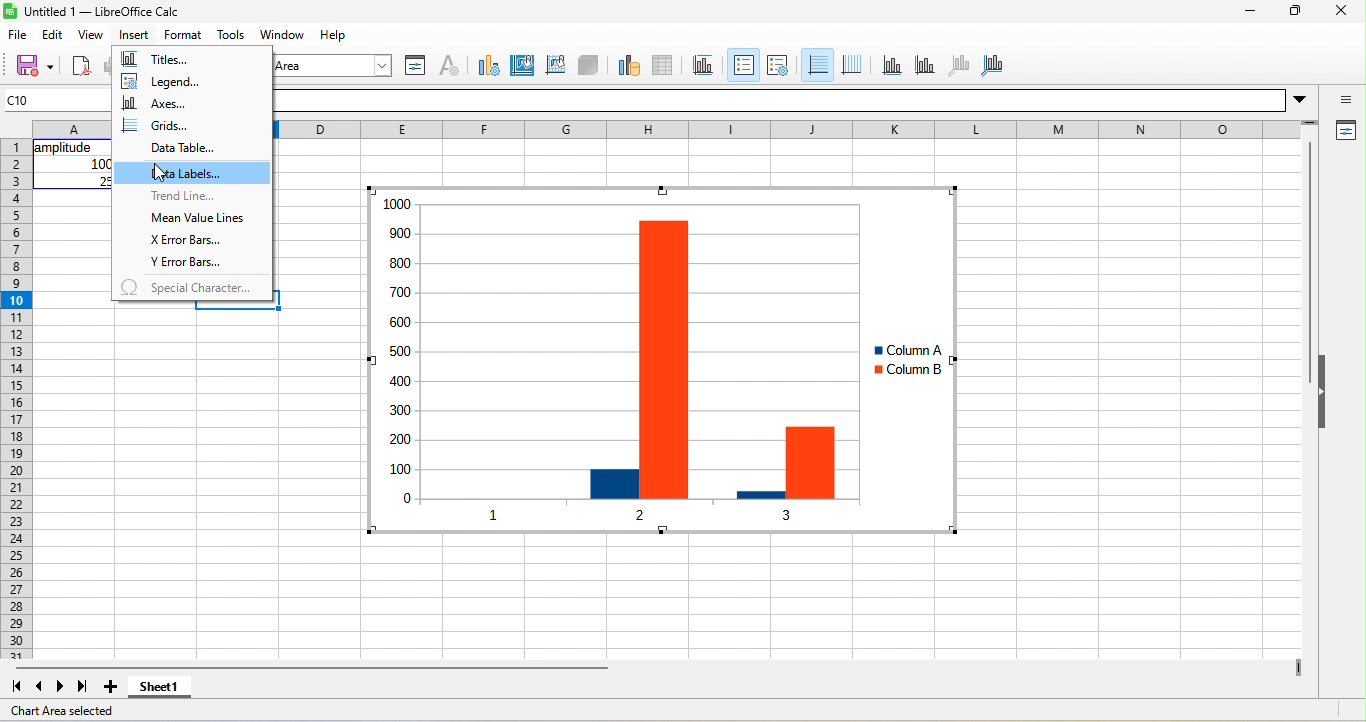  Describe the element at coordinates (413, 65) in the screenshot. I see `format selection` at that location.